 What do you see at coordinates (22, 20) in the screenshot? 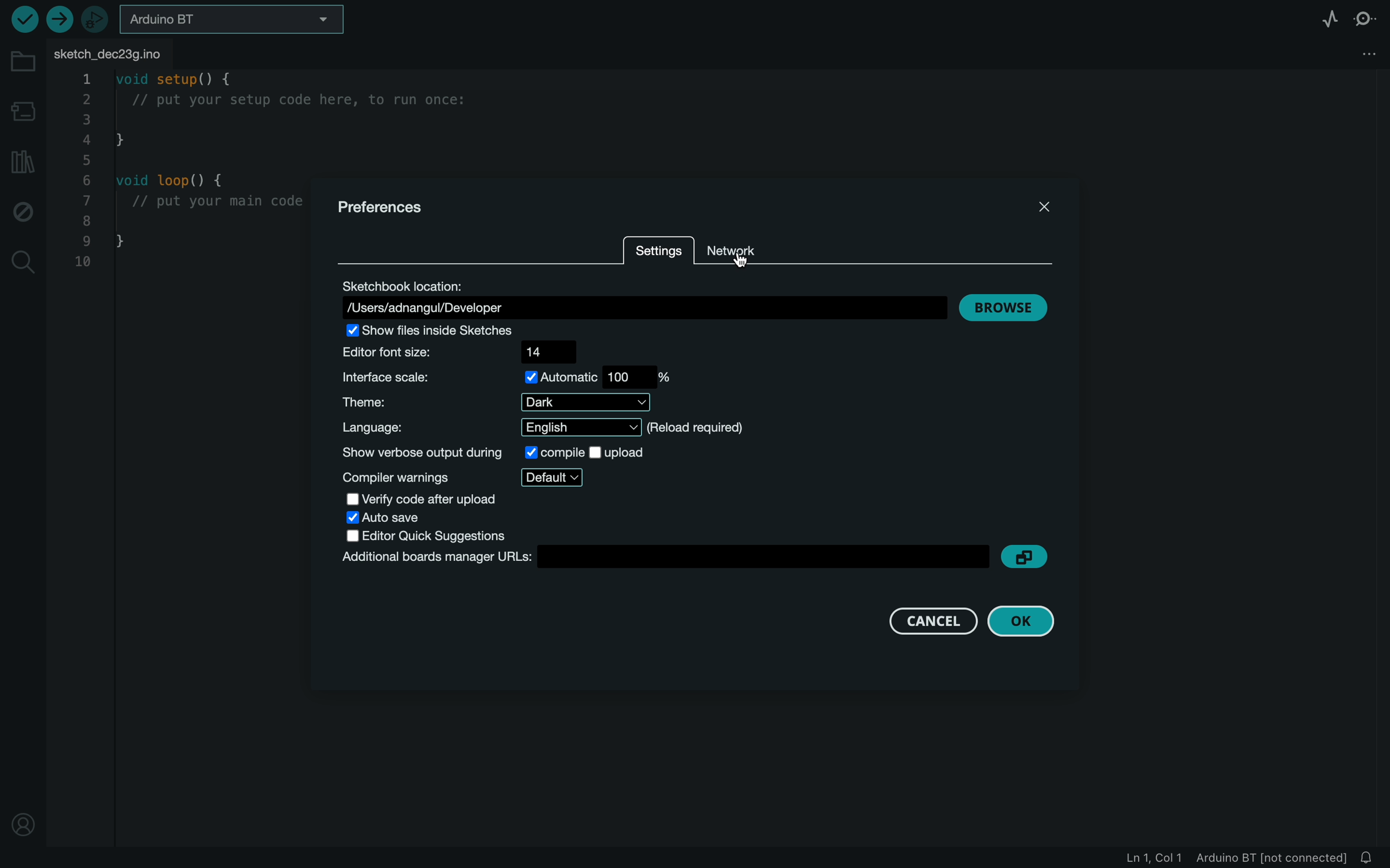
I see `verify` at bounding box center [22, 20].